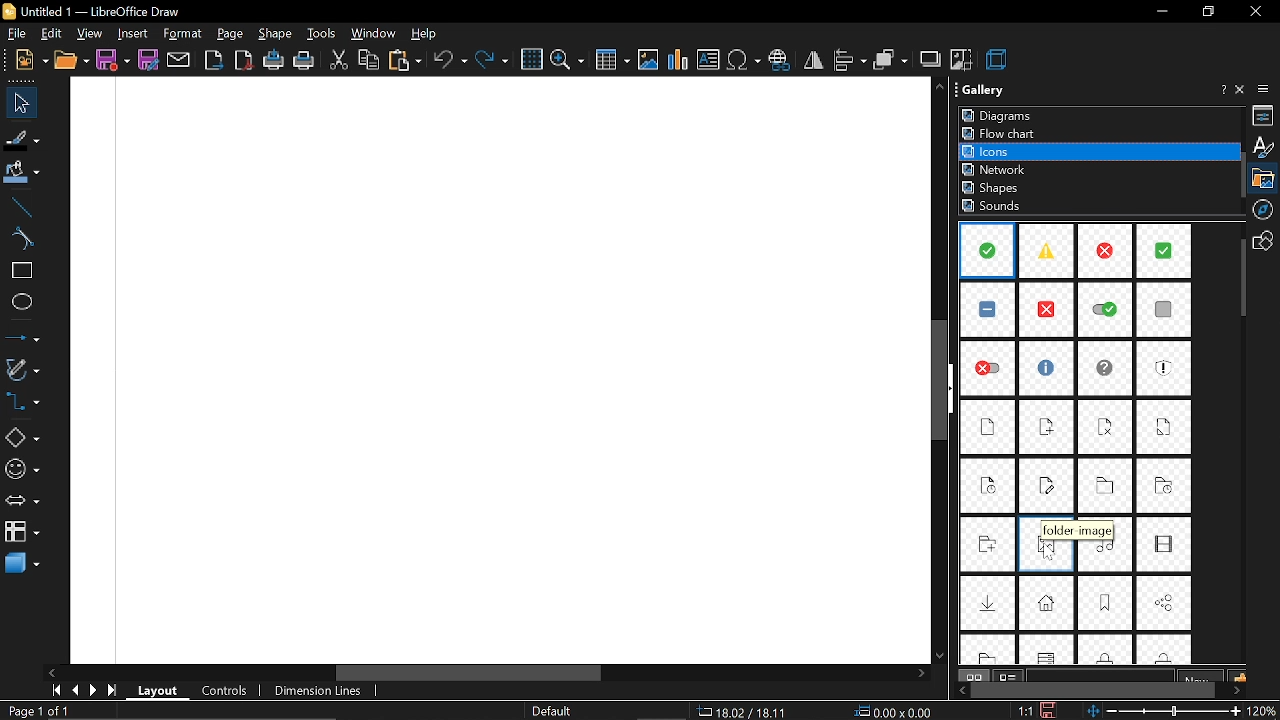 This screenshot has height=720, width=1280. What do you see at coordinates (1265, 116) in the screenshot?
I see `properties` at bounding box center [1265, 116].